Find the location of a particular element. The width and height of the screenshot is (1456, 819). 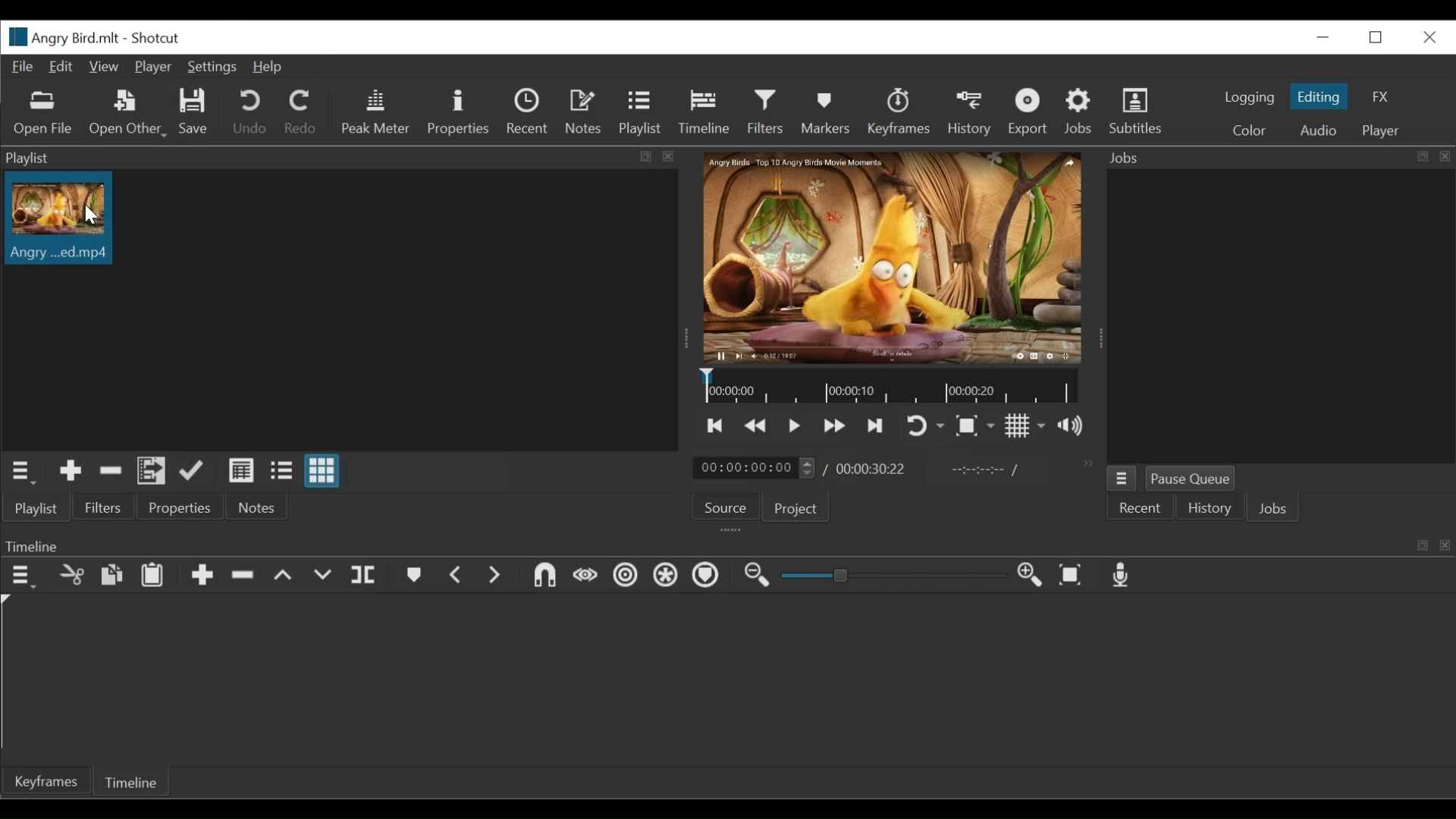

cursor is located at coordinates (95, 217).